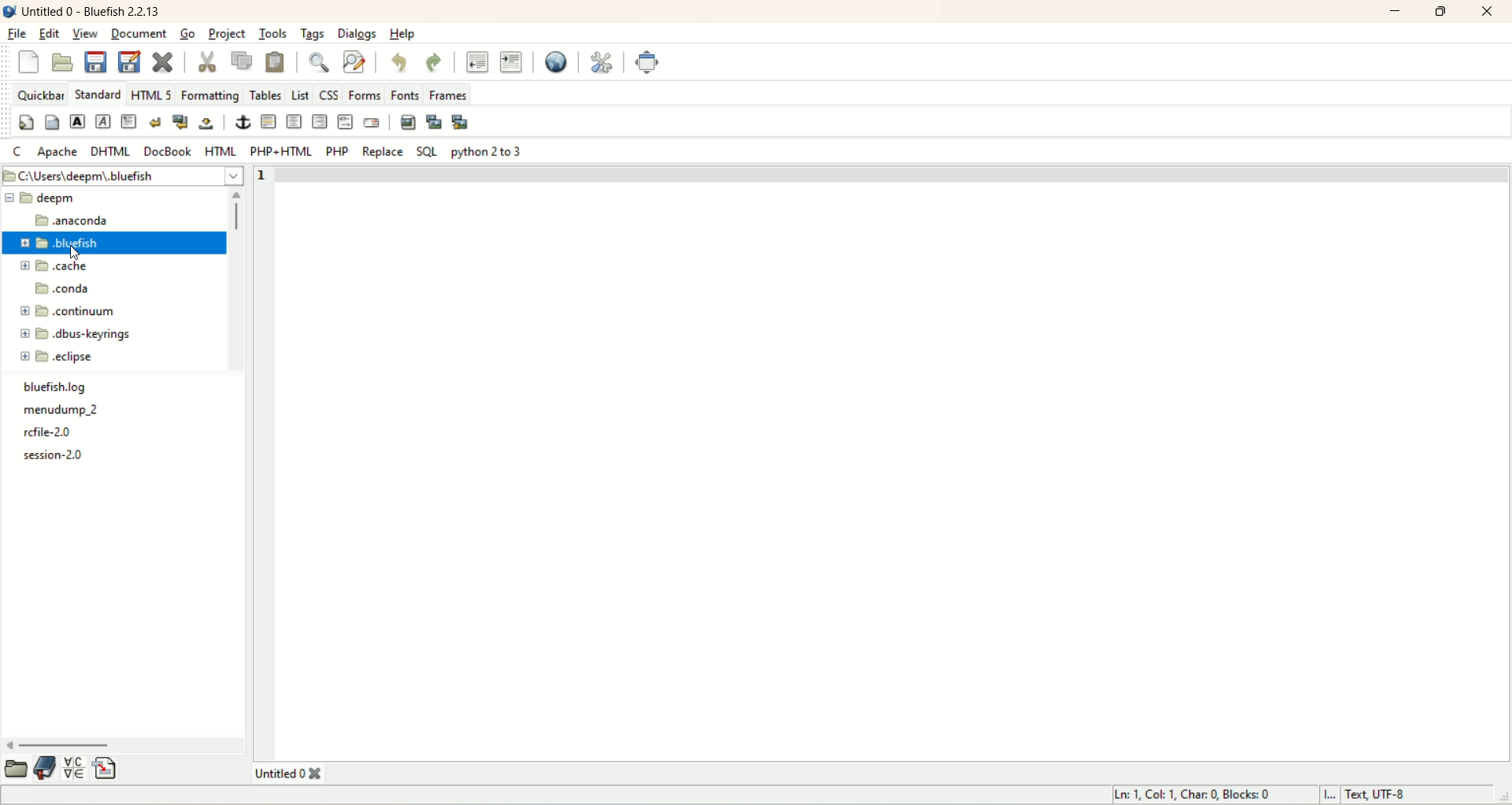  What do you see at coordinates (353, 61) in the screenshot?
I see `advanced find and replace` at bounding box center [353, 61].